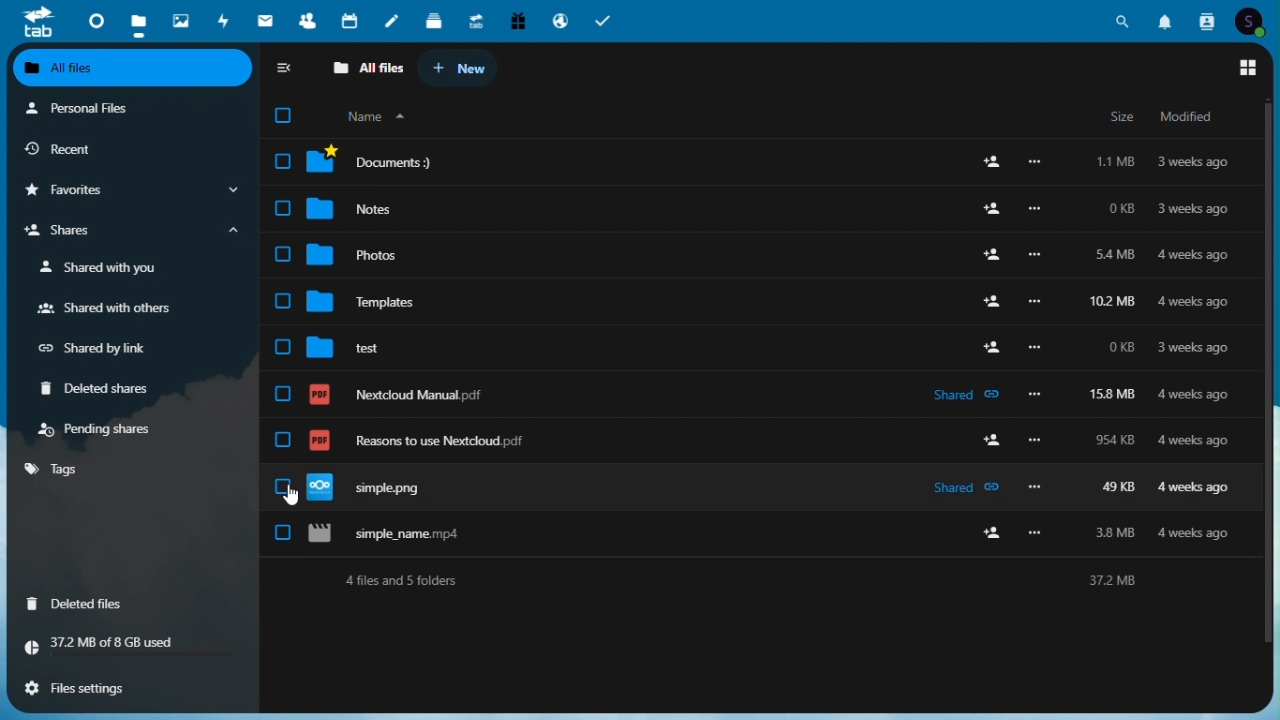 The height and width of the screenshot is (720, 1280). I want to click on free trial, so click(515, 19).